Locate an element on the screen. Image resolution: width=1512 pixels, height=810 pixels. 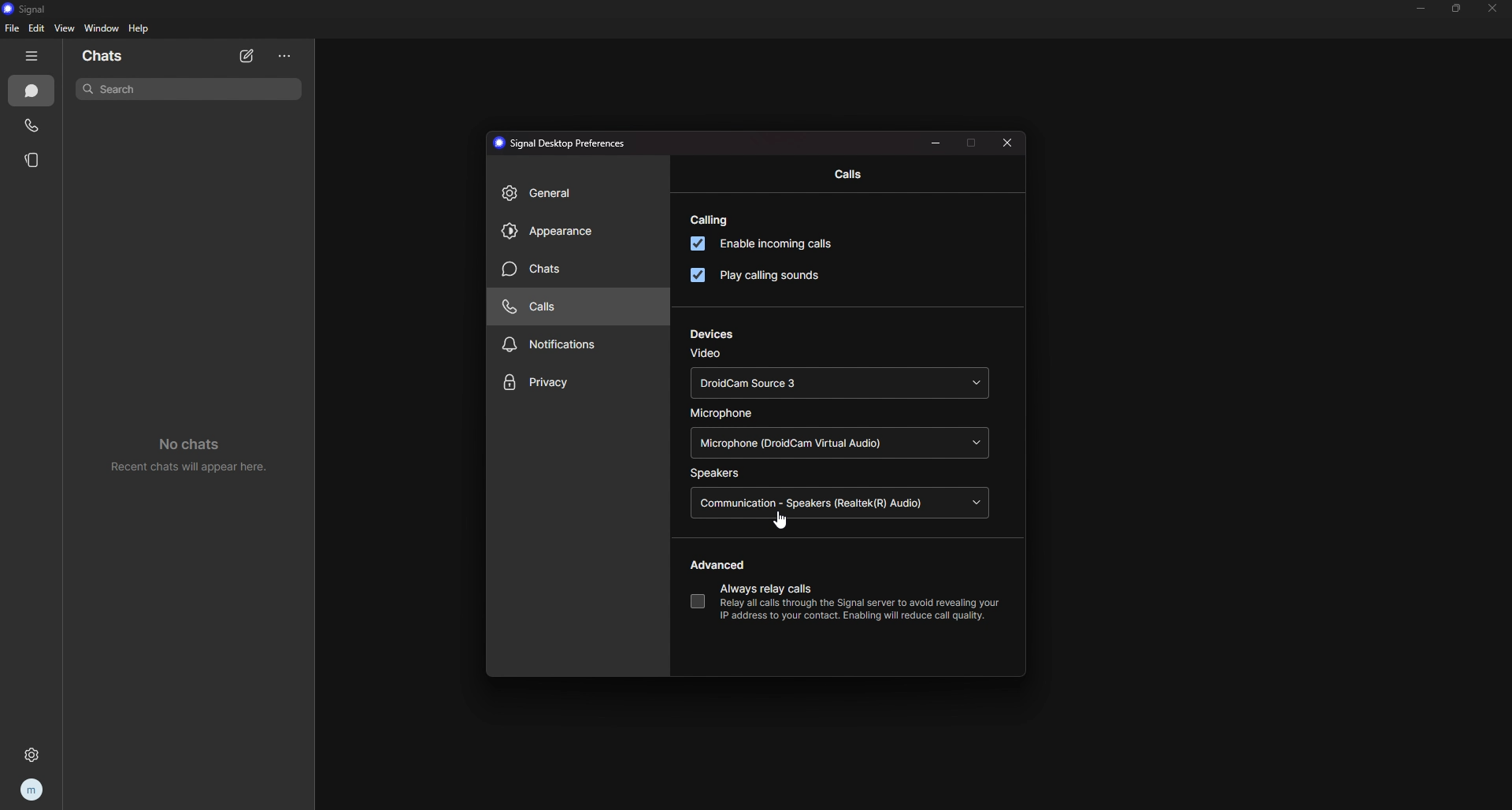
maximize is located at coordinates (973, 143).